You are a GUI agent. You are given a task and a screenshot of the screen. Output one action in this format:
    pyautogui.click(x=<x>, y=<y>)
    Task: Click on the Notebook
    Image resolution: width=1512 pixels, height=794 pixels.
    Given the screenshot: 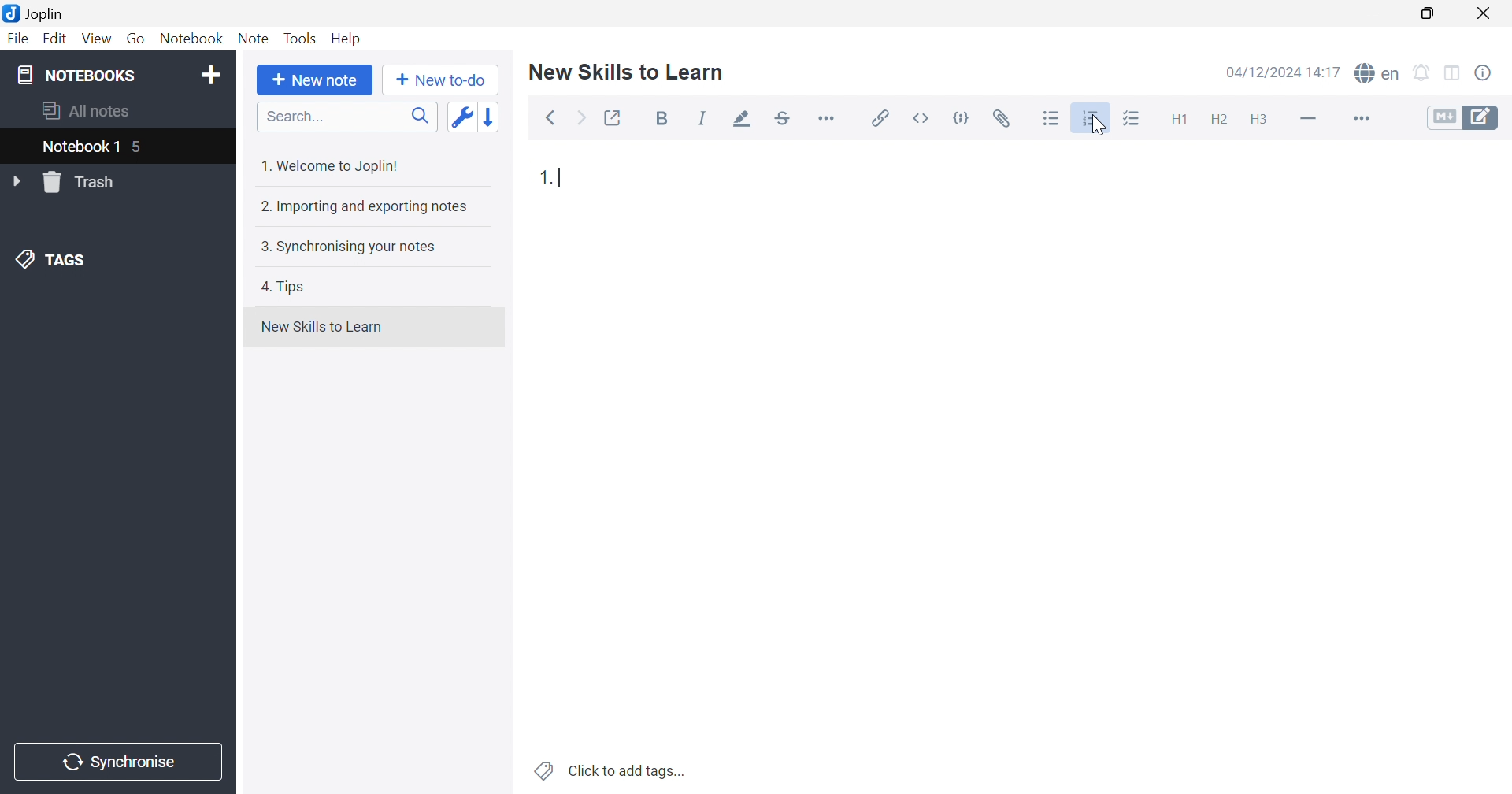 What is the action you would take?
    pyautogui.click(x=190, y=39)
    